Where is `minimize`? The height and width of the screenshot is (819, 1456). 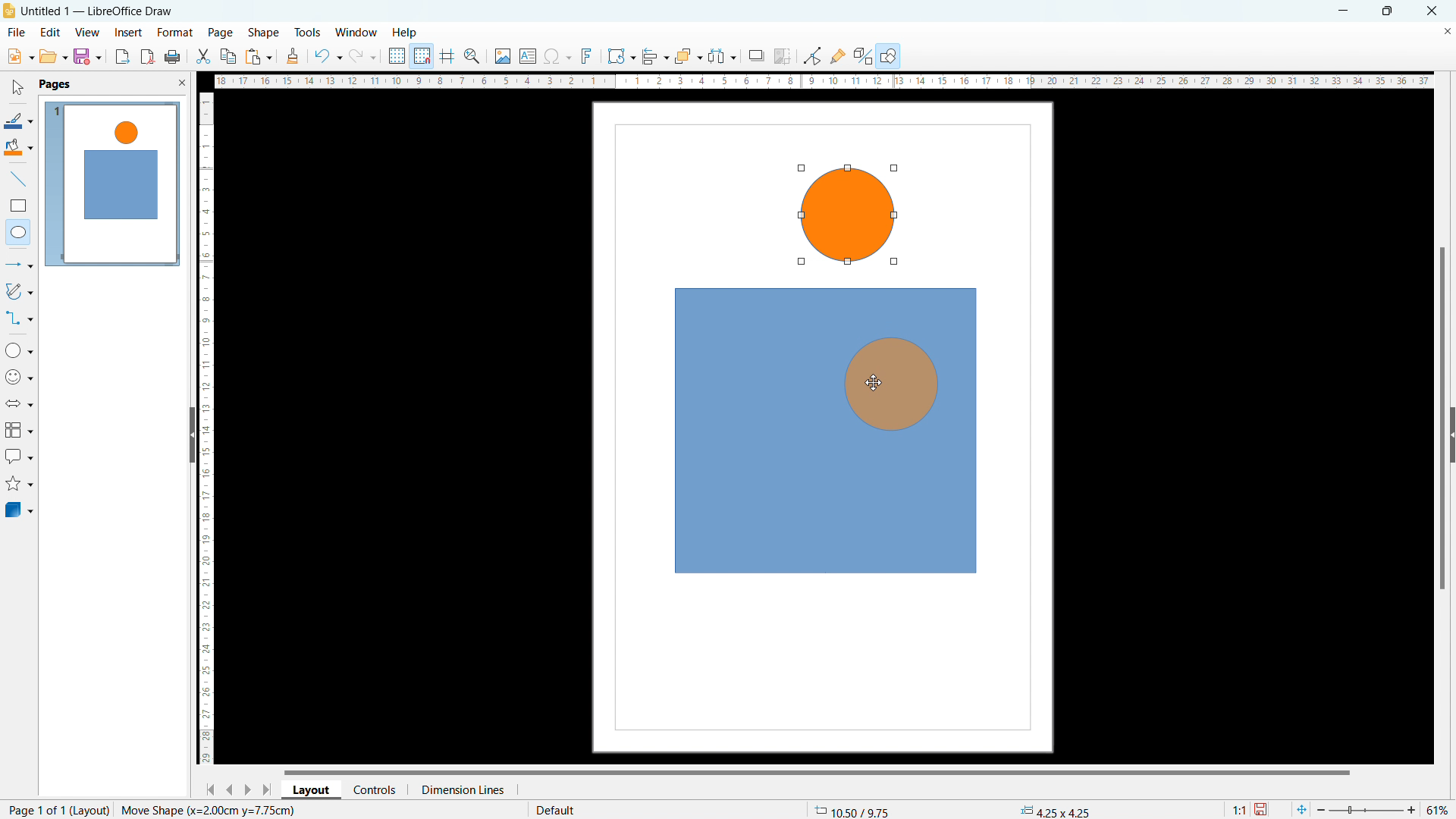 minimize is located at coordinates (1341, 10).